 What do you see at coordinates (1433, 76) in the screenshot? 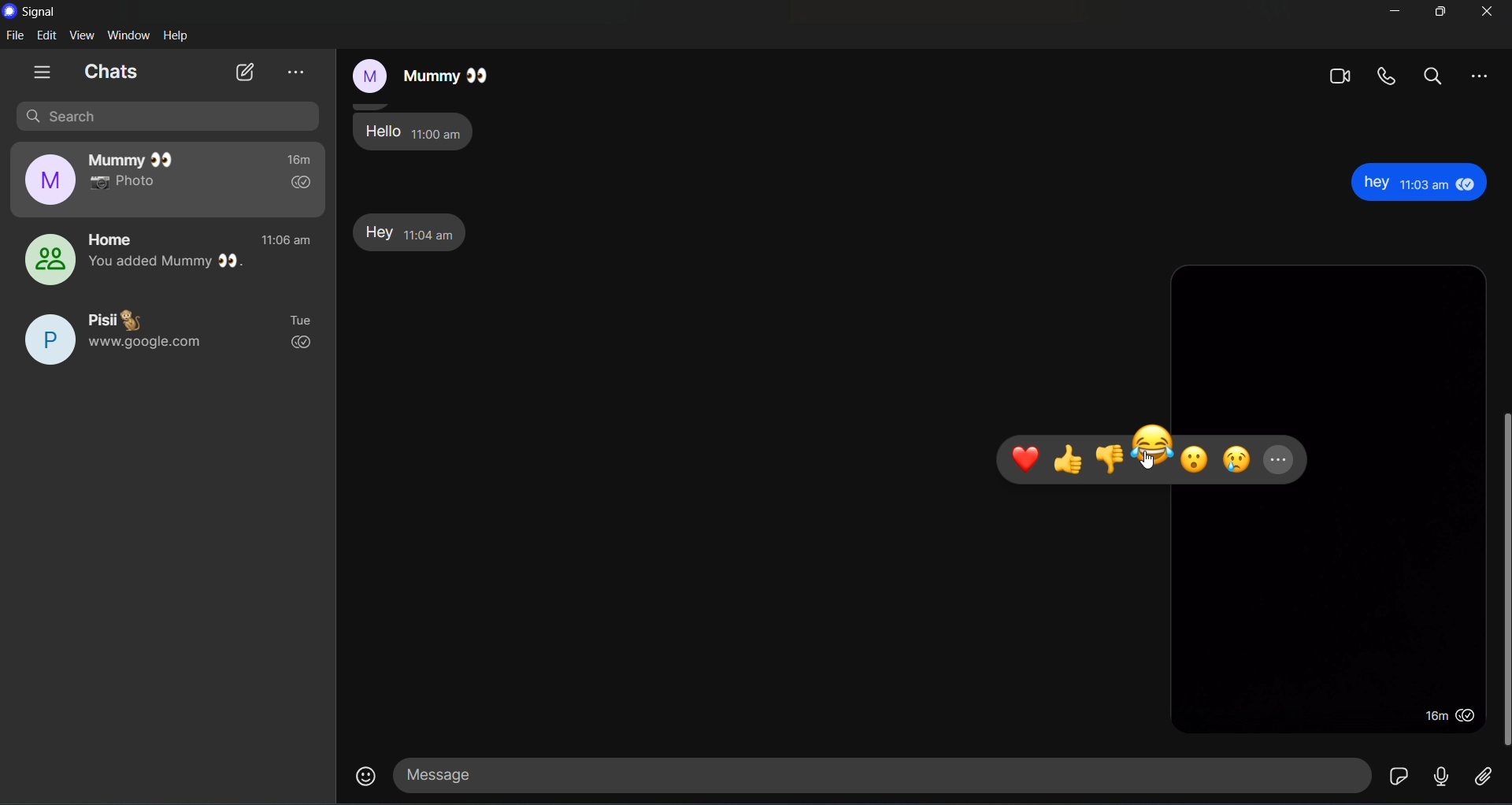
I see `search` at bounding box center [1433, 76].